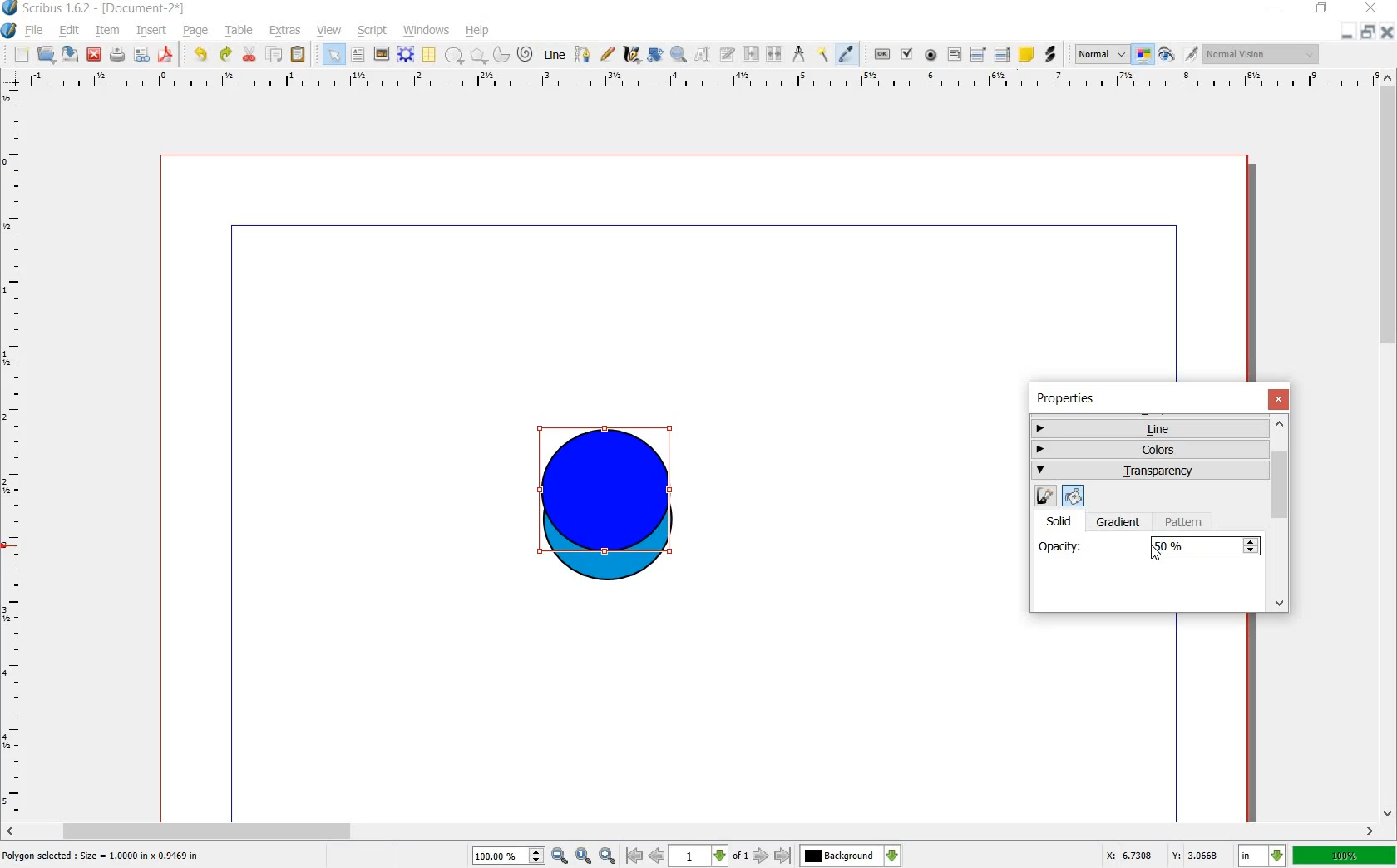 This screenshot has height=868, width=1397. Describe the element at coordinates (72, 32) in the screenshot. I see `edit` at that location.